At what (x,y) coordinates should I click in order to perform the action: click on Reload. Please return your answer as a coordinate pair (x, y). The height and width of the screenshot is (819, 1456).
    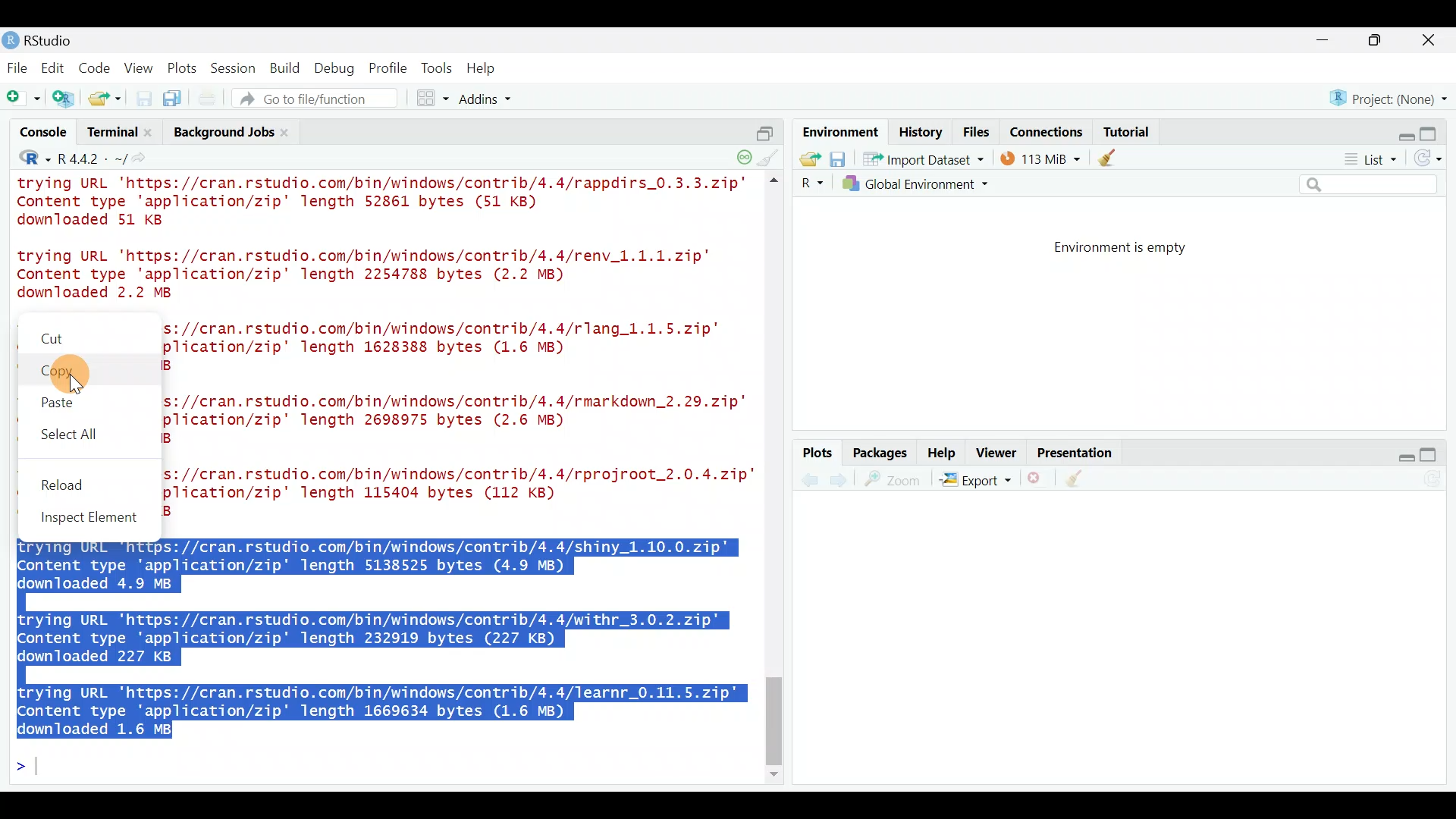
    Looking at the image, I should click on (79, 482).